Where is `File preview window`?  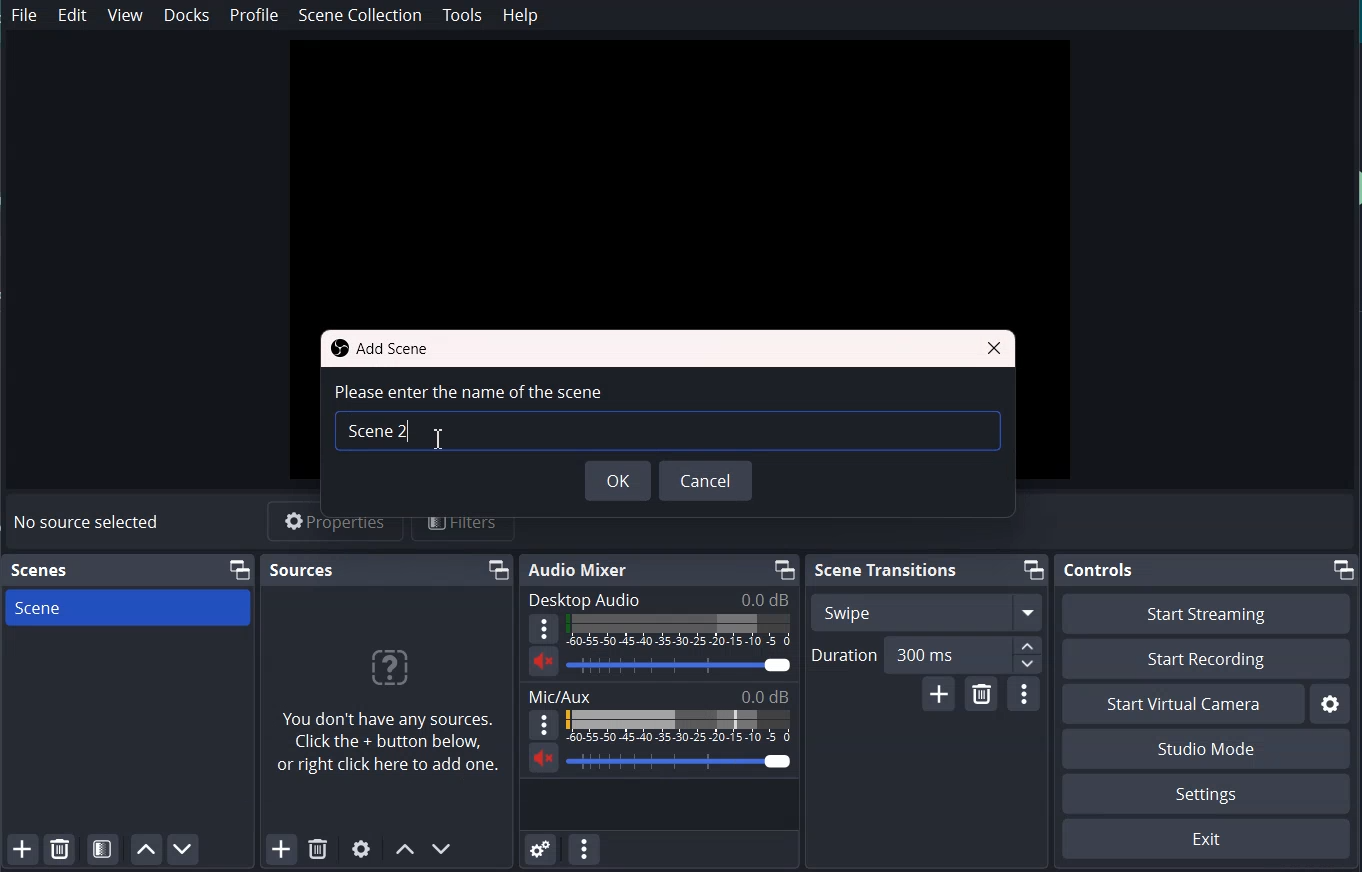
File preview window is located at coordinates (679, 174).